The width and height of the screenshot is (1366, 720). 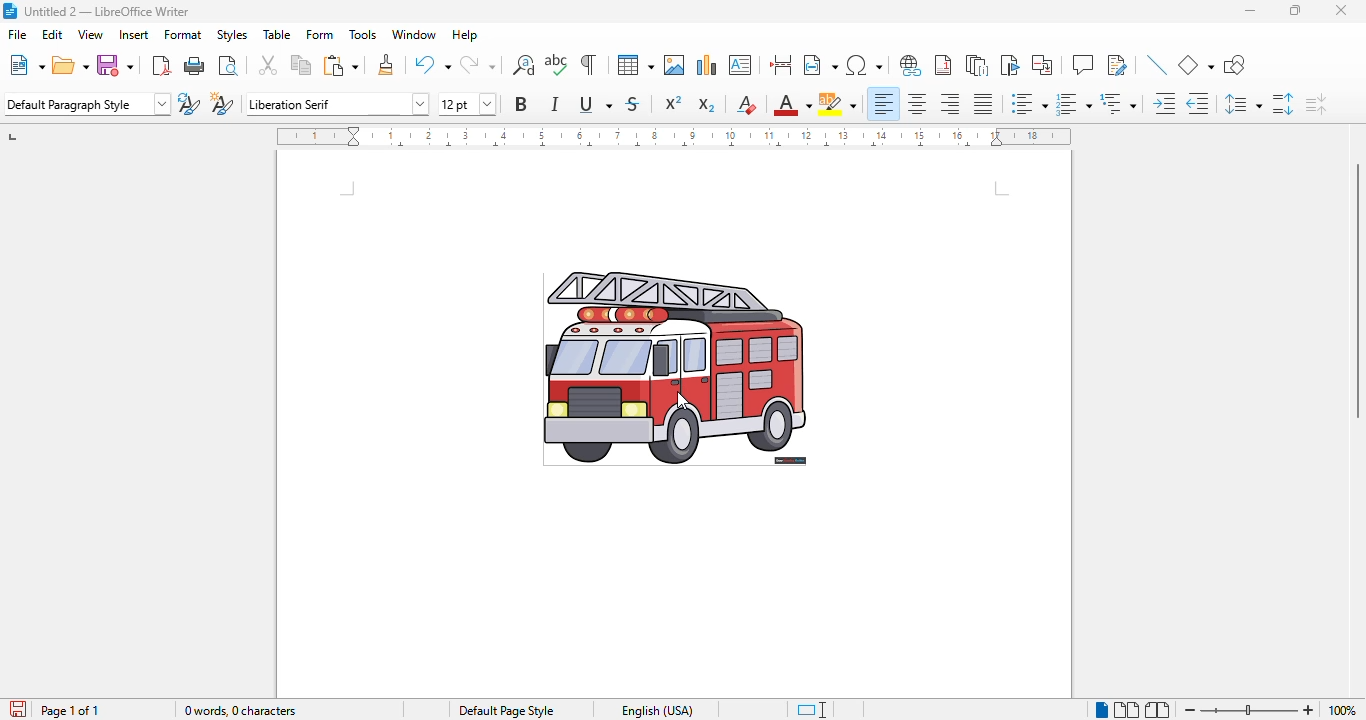 I want to click on image, so click(x=674, y=368).